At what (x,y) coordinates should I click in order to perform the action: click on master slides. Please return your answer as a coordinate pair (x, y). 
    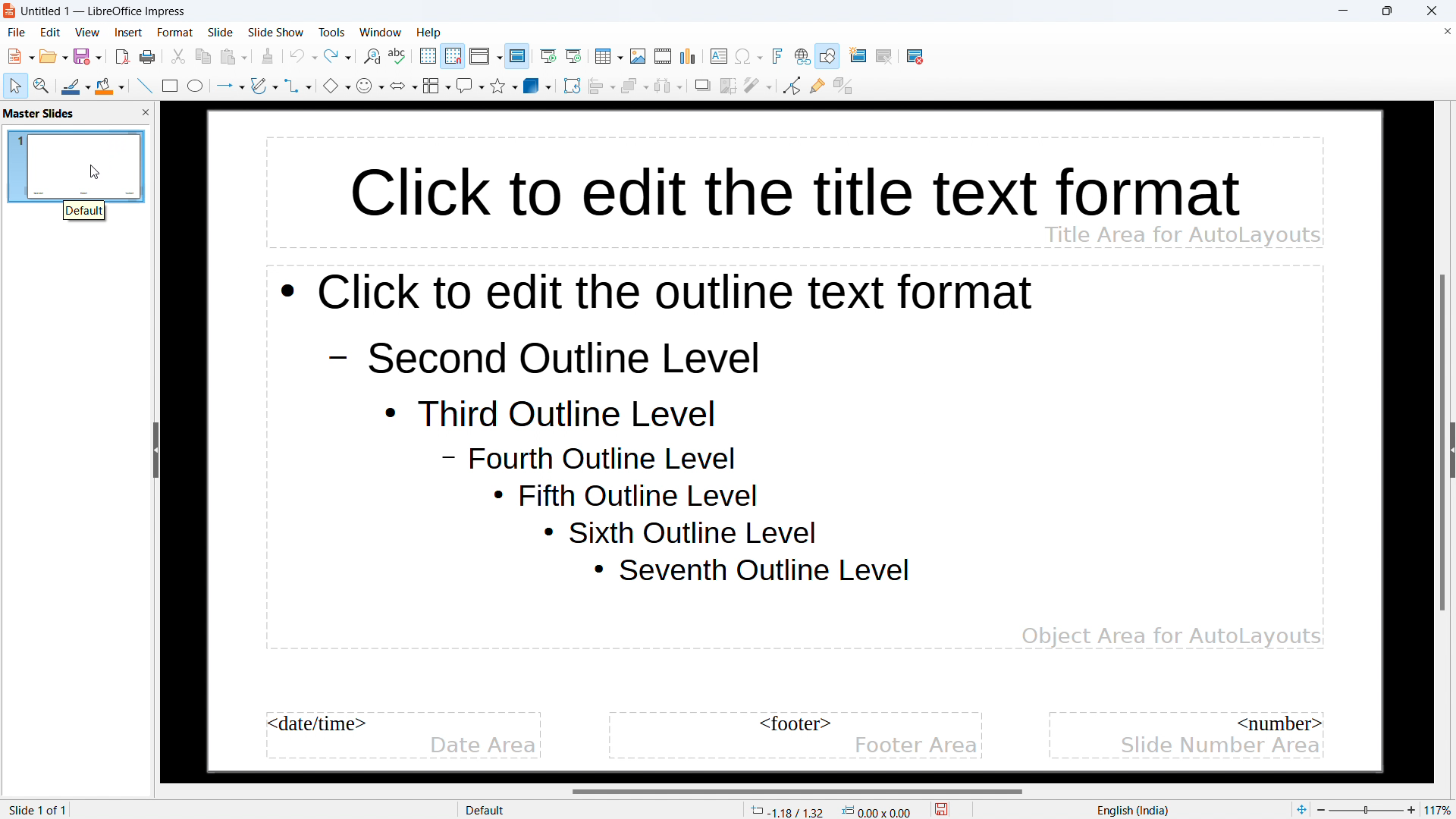
    Looking at the image, I should click on (39, 114).